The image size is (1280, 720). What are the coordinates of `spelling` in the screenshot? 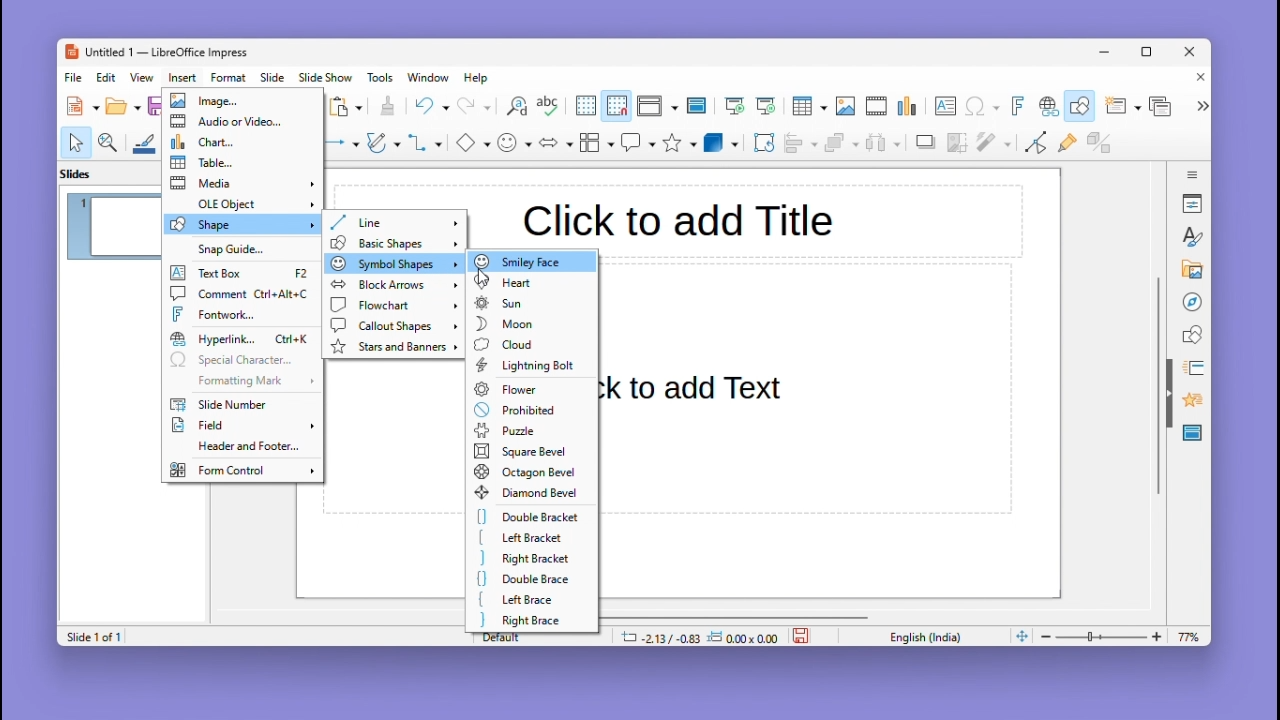 It's located at (548, 107).